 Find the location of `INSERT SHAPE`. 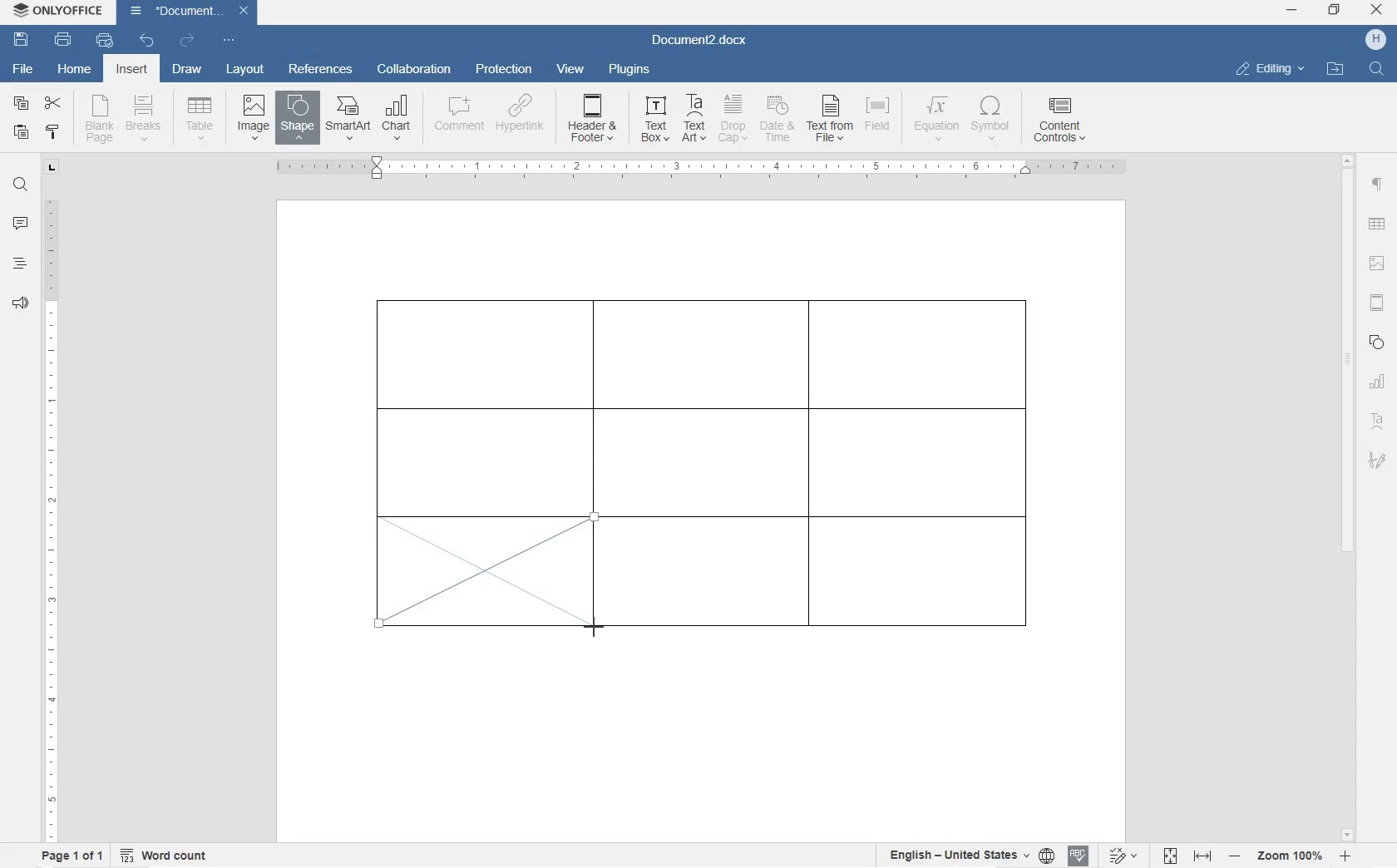

INSERT SHAPE is located at coordinates (297, 121).